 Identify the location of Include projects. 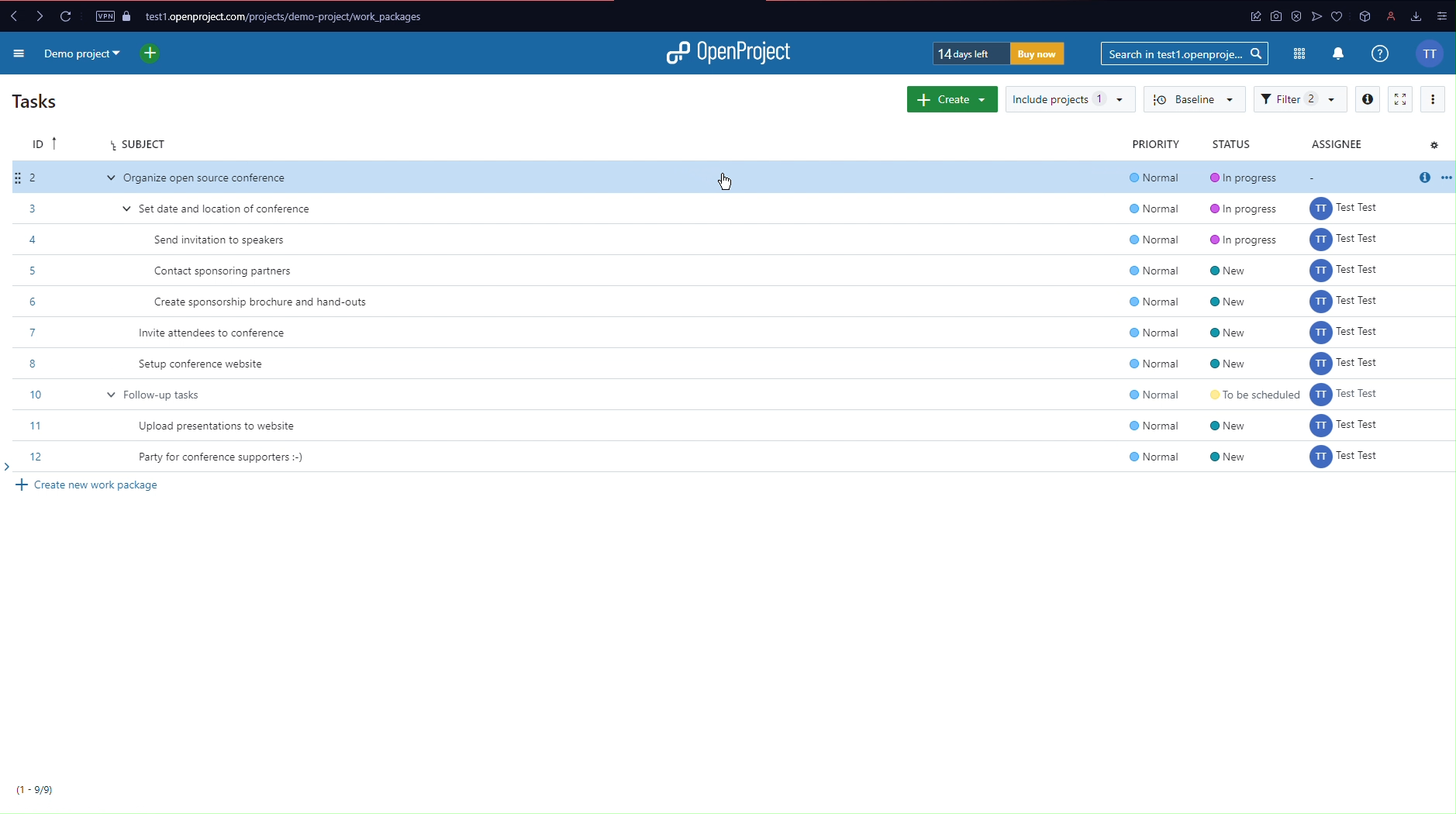
(1070, 99).